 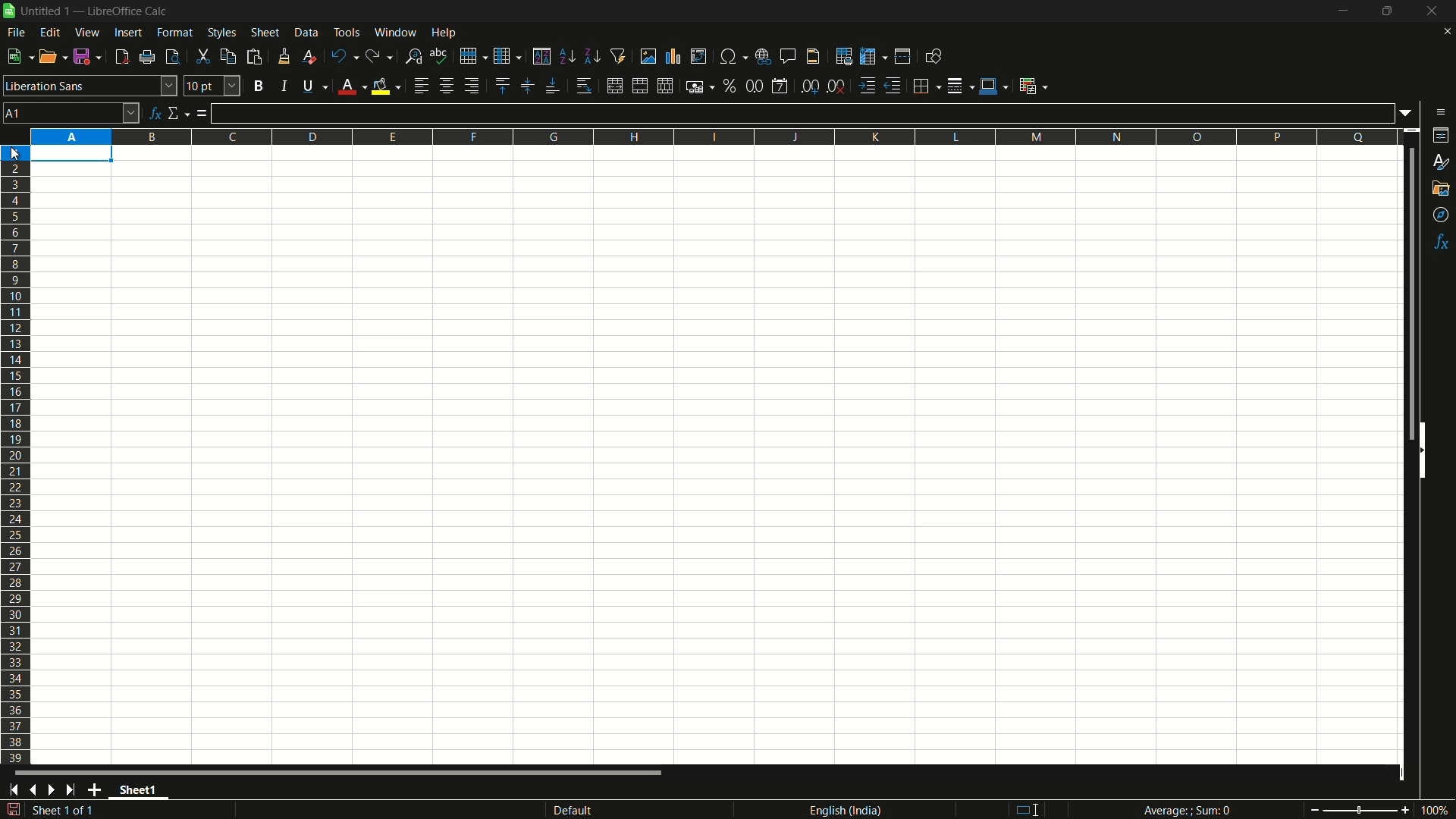 What do you see at coordinates (121, 57) in the screenshot?
I see `export directly as pdf` at bounding box center [121, 57].